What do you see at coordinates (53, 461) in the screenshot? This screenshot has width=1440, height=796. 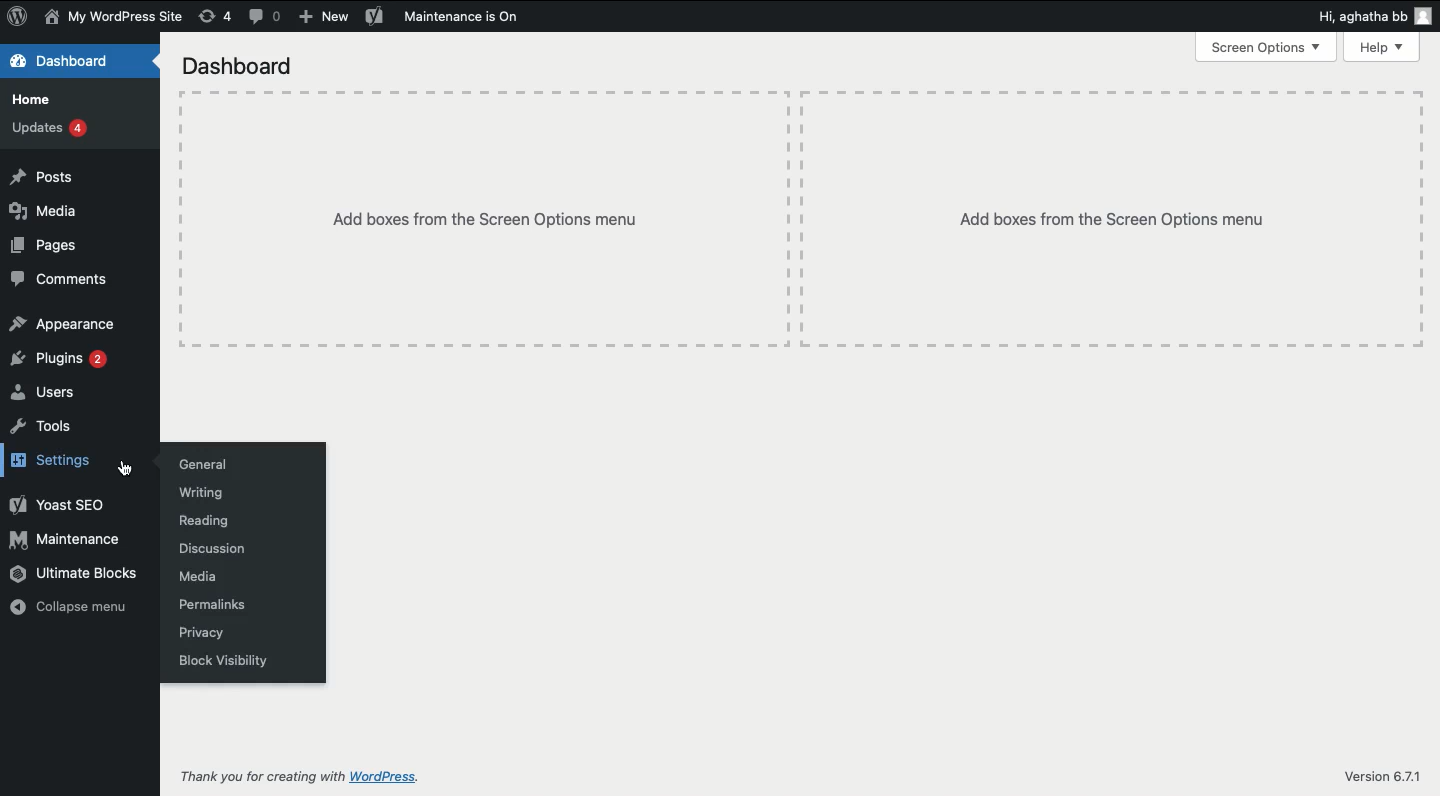 I see `settings` at bounding box center [53, 461].